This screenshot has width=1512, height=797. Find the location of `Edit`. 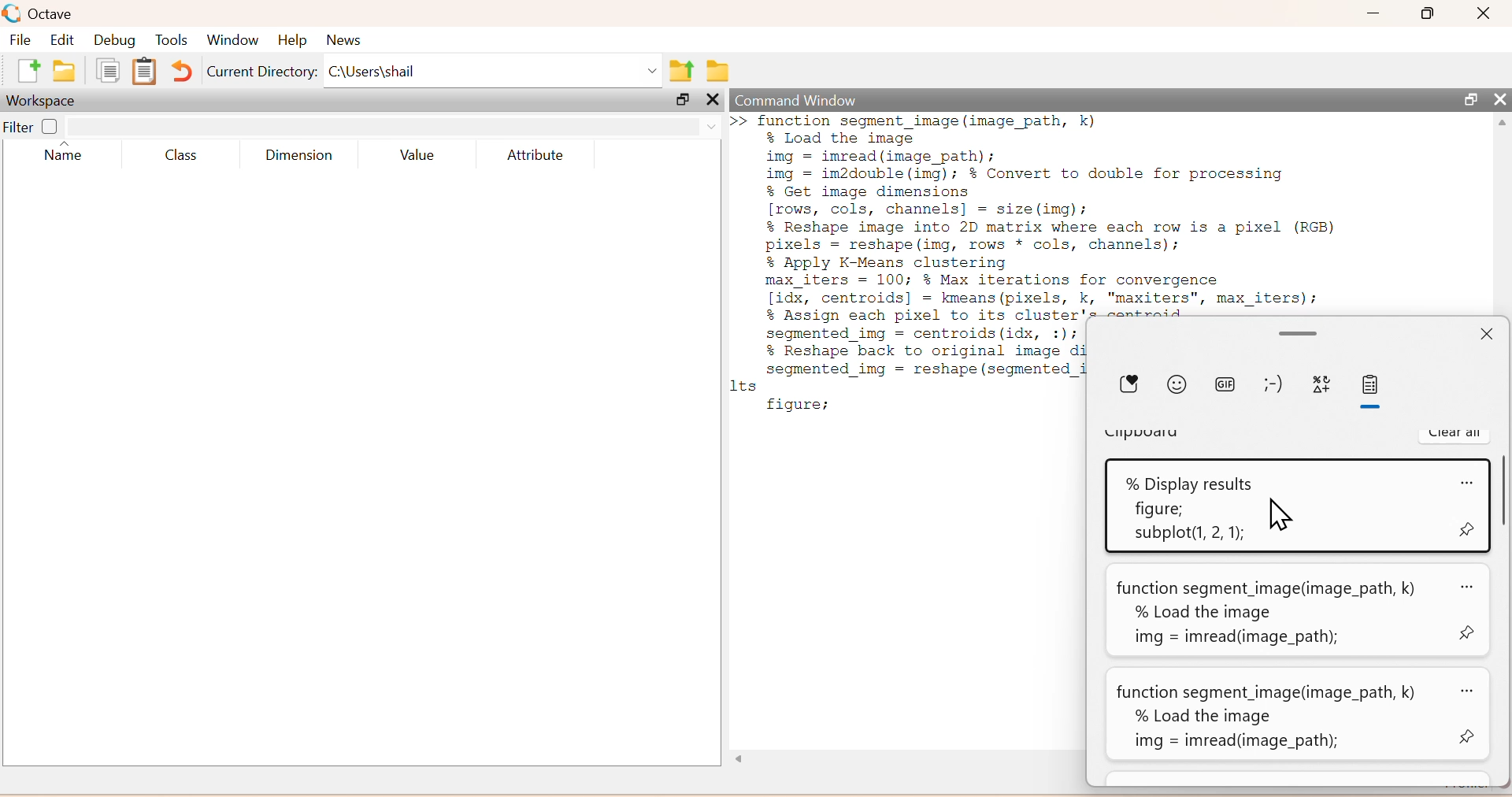

Edit is located at coordinates (64, 40).